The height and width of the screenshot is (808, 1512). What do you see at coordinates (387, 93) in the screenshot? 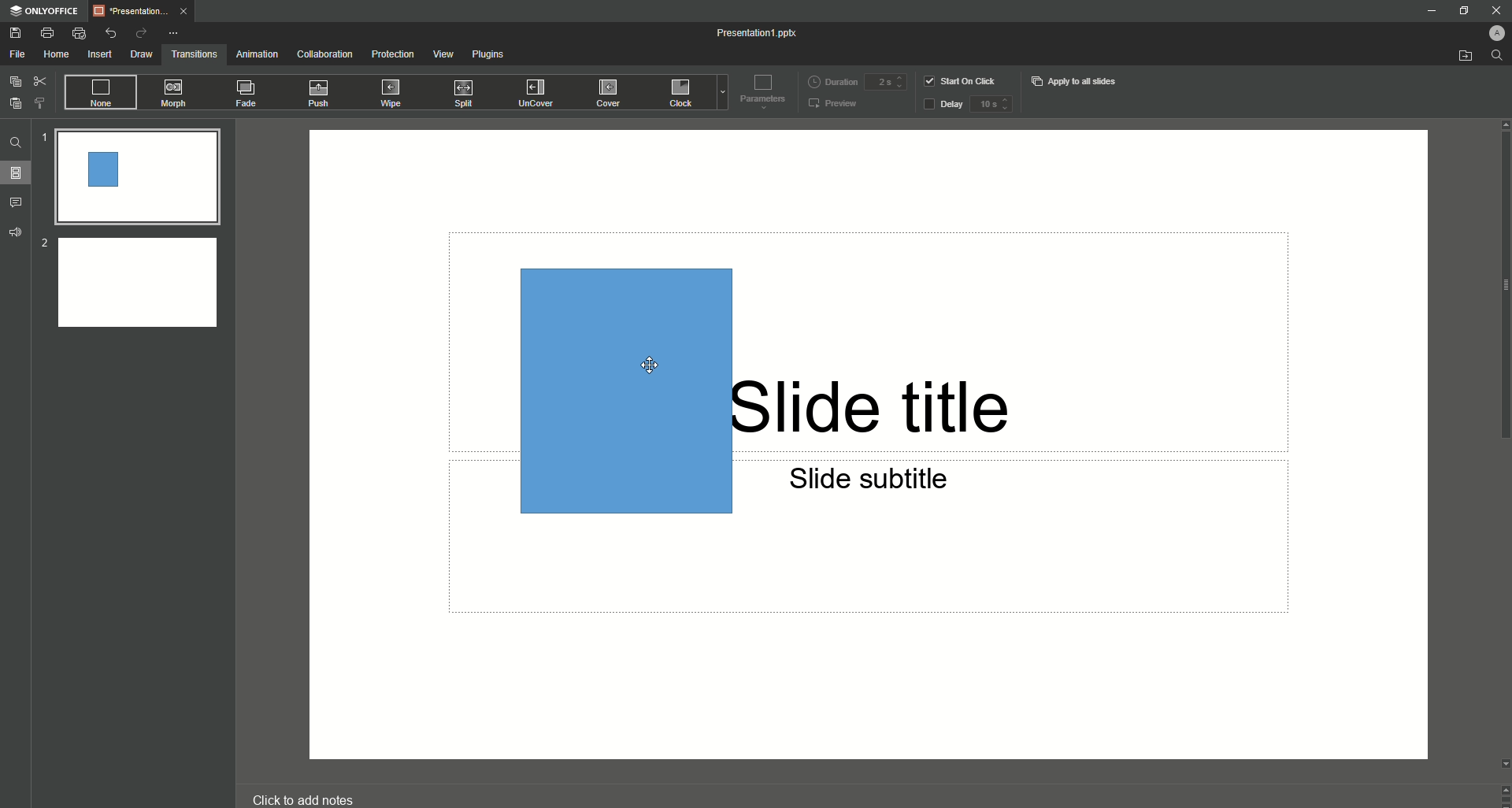
I see `Wipe` at bounding box center [387, 93].